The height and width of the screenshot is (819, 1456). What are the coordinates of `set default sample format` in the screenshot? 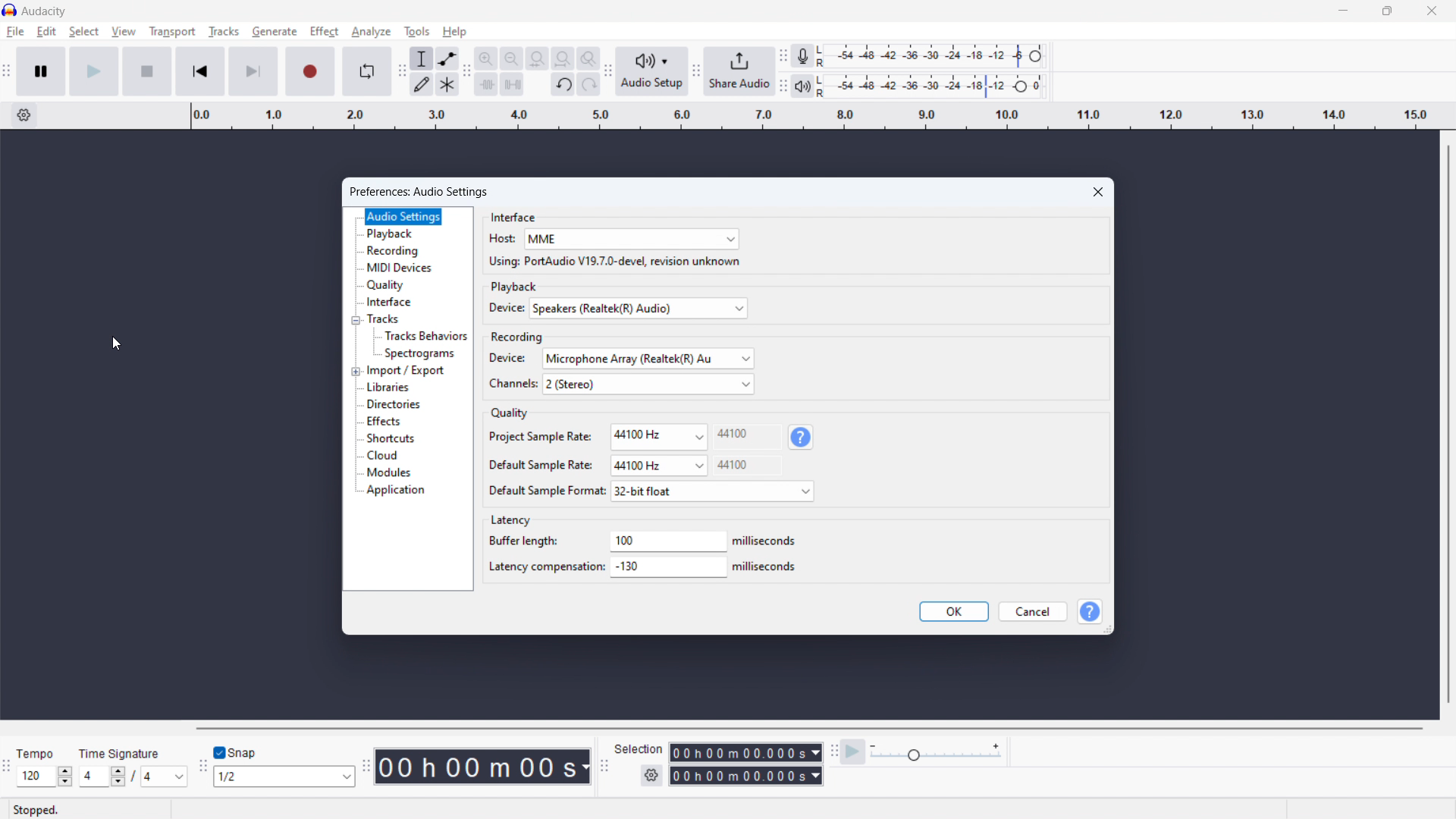 It's located at (713, 491).